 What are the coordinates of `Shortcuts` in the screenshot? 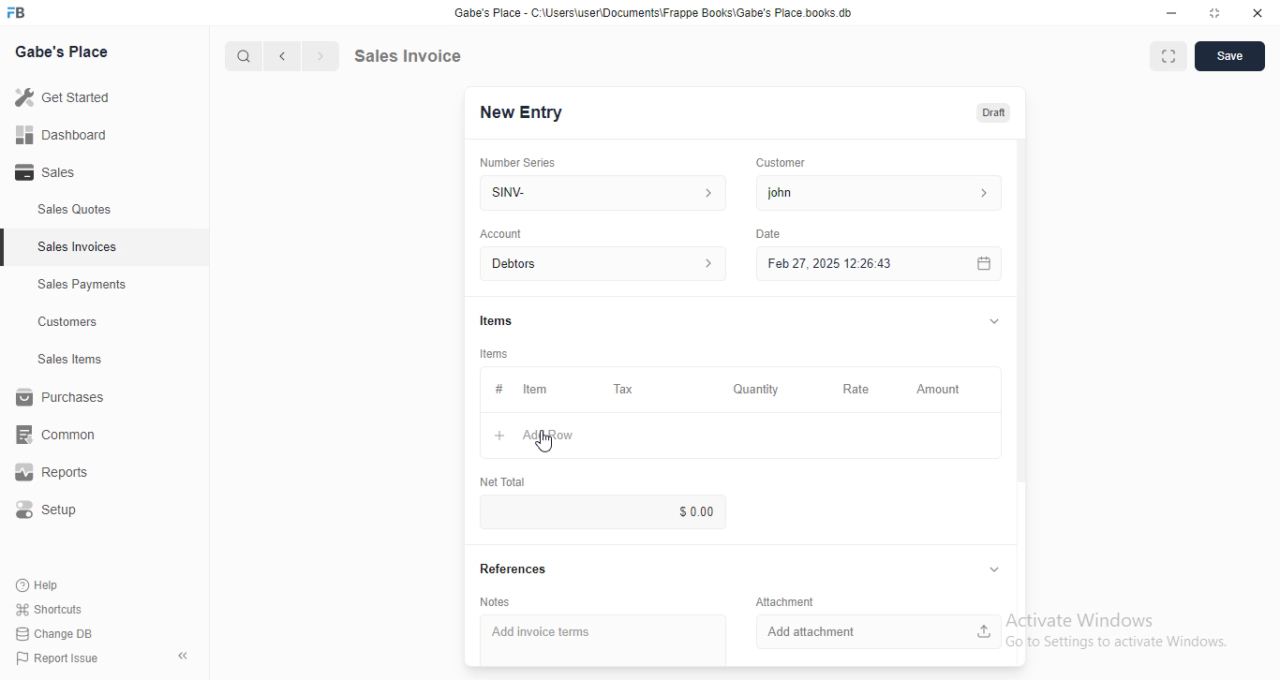 It's located at (50, 610).